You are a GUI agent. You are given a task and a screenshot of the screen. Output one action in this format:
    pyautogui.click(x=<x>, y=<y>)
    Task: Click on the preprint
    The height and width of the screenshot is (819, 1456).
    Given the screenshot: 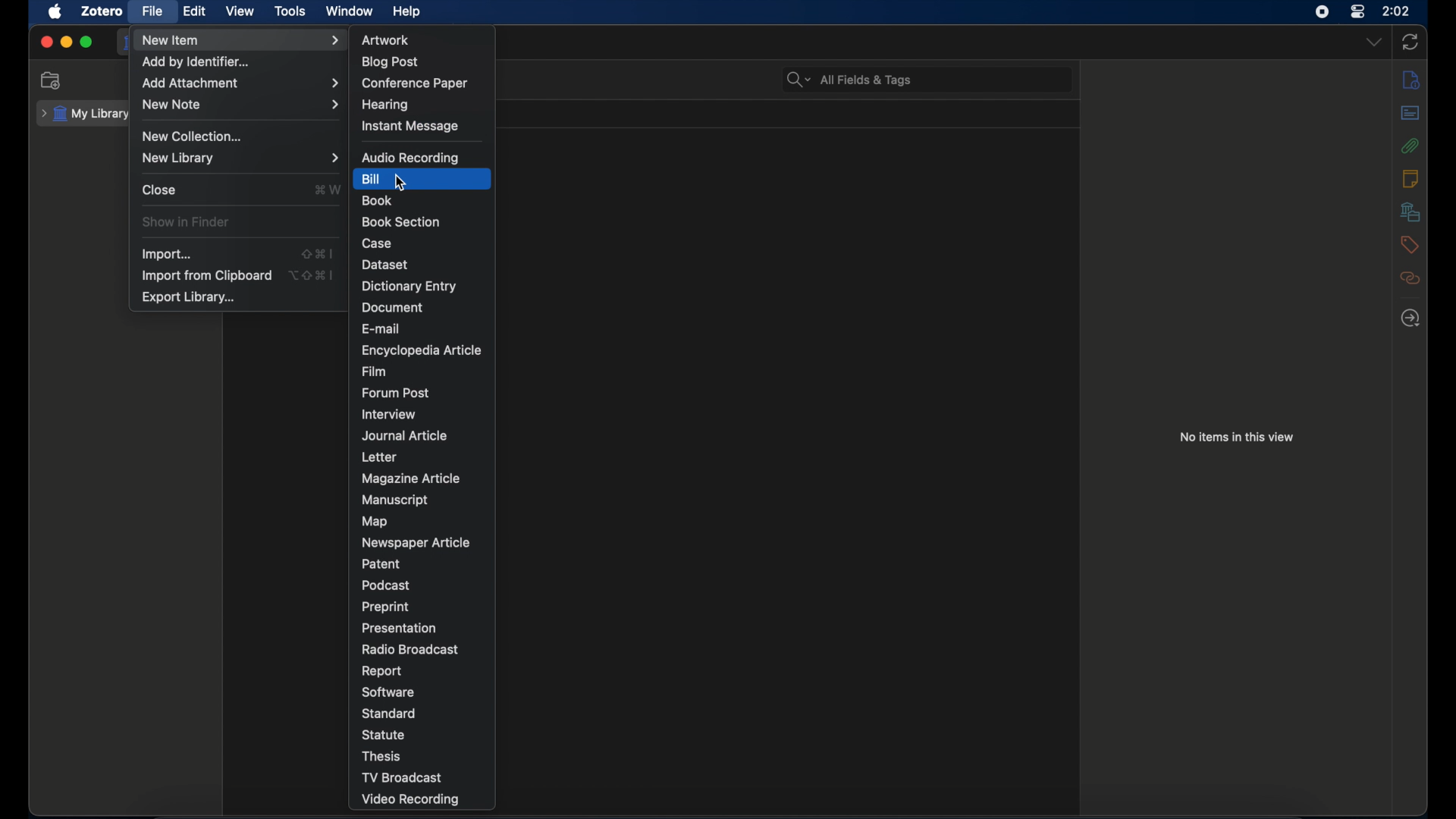 What is the action you would take?
    pyautogui.click(x=386, y=607)
    